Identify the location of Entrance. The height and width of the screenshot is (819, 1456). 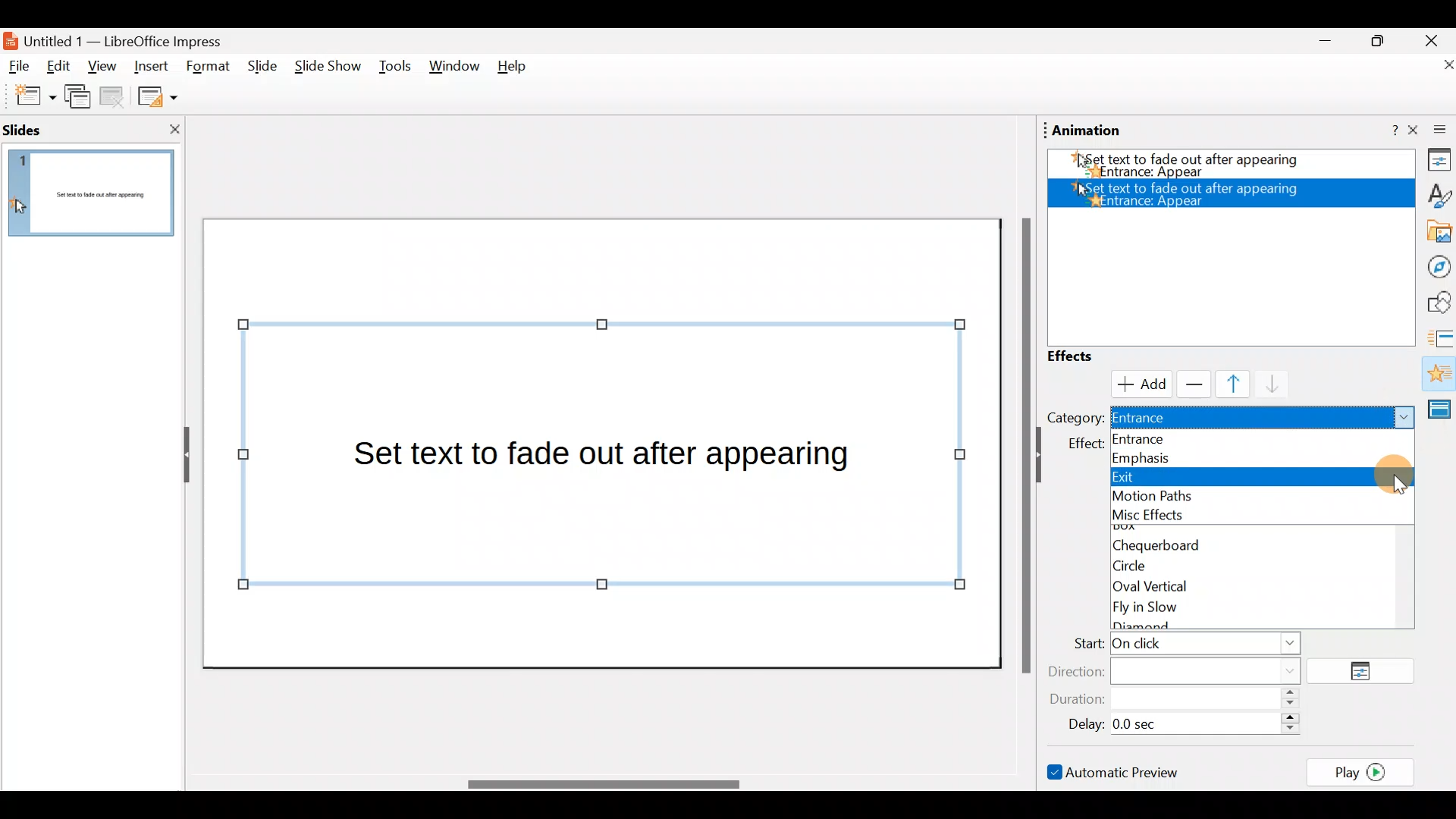
(1269, 439).